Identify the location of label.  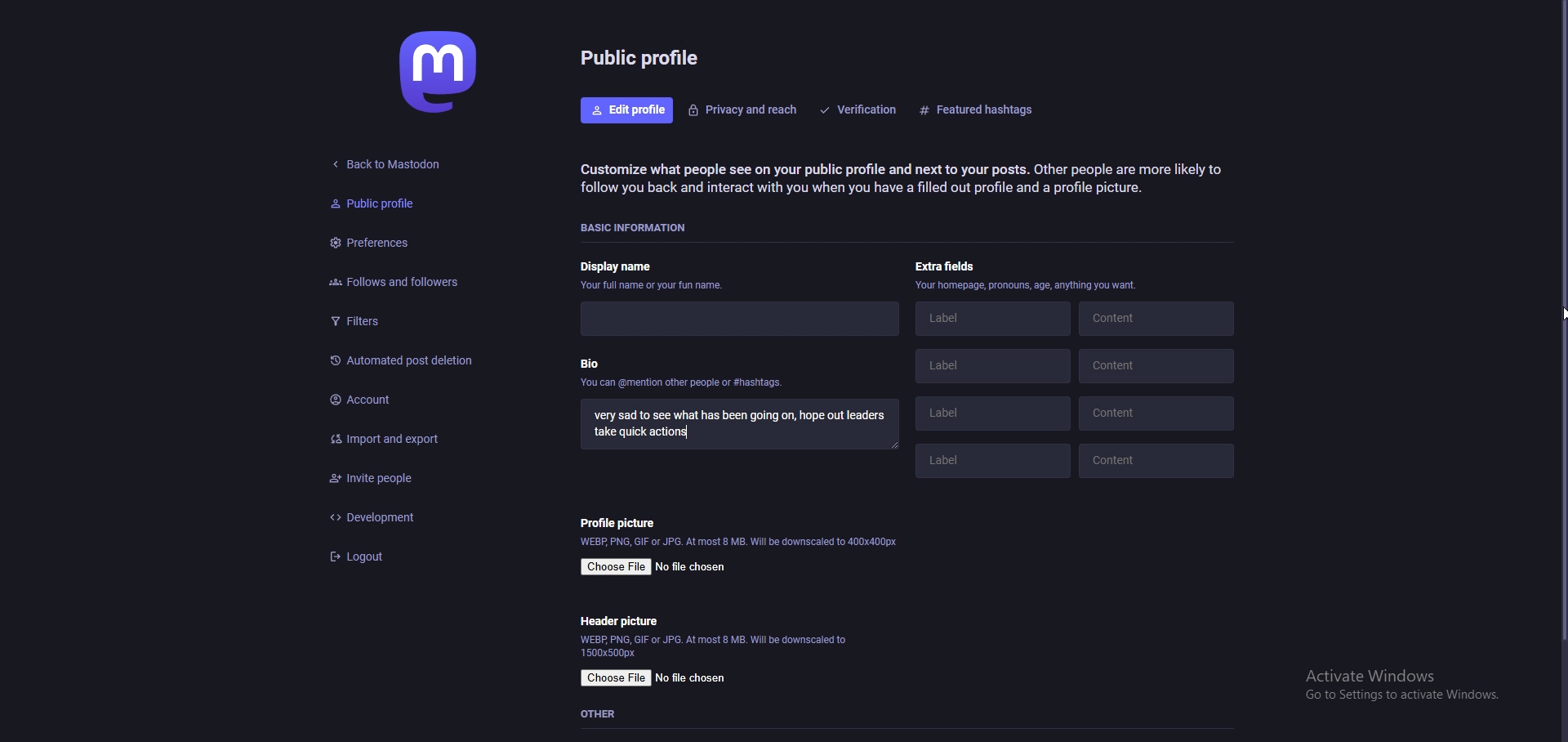
(993, 413).